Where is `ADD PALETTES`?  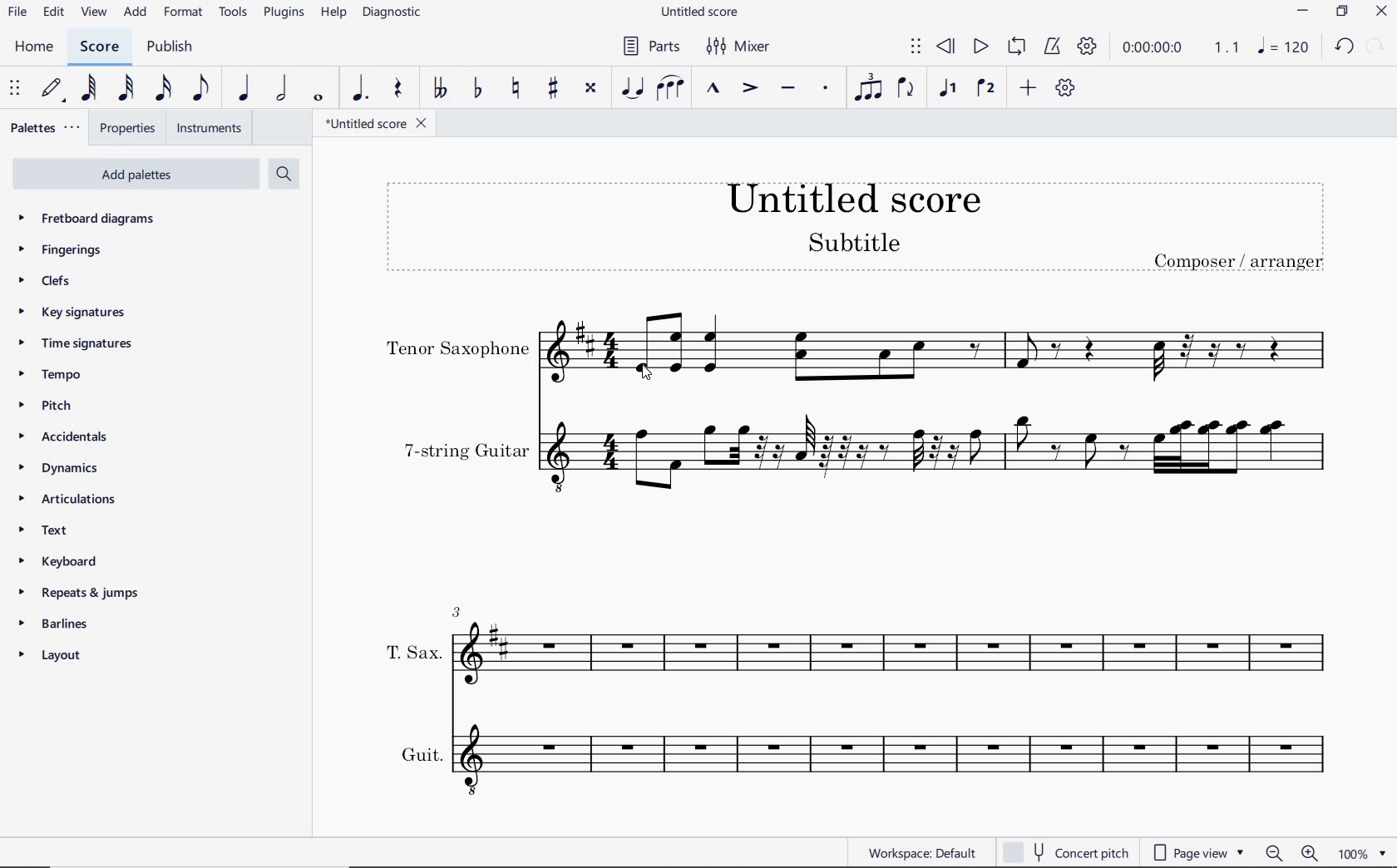
ADD PALETTES is located at coordinates (140, 175).